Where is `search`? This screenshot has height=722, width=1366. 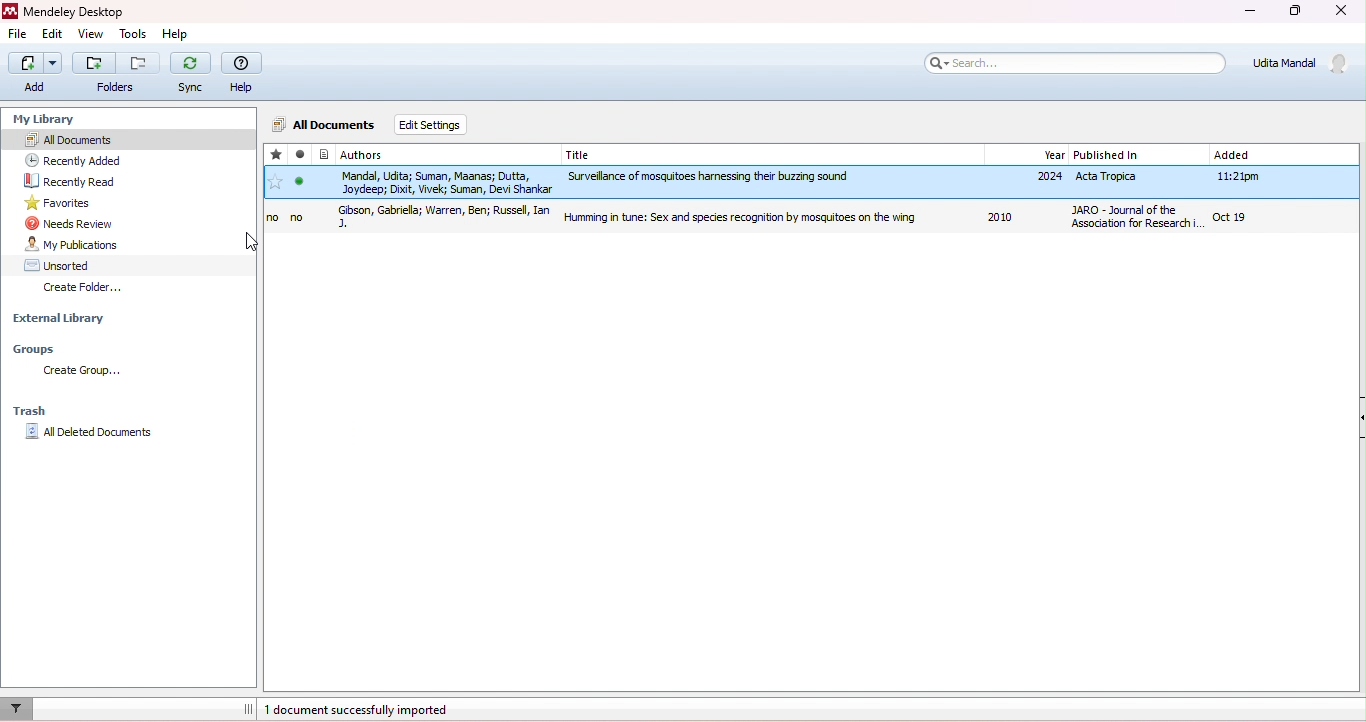
search is located at coordinates (1073, 65).